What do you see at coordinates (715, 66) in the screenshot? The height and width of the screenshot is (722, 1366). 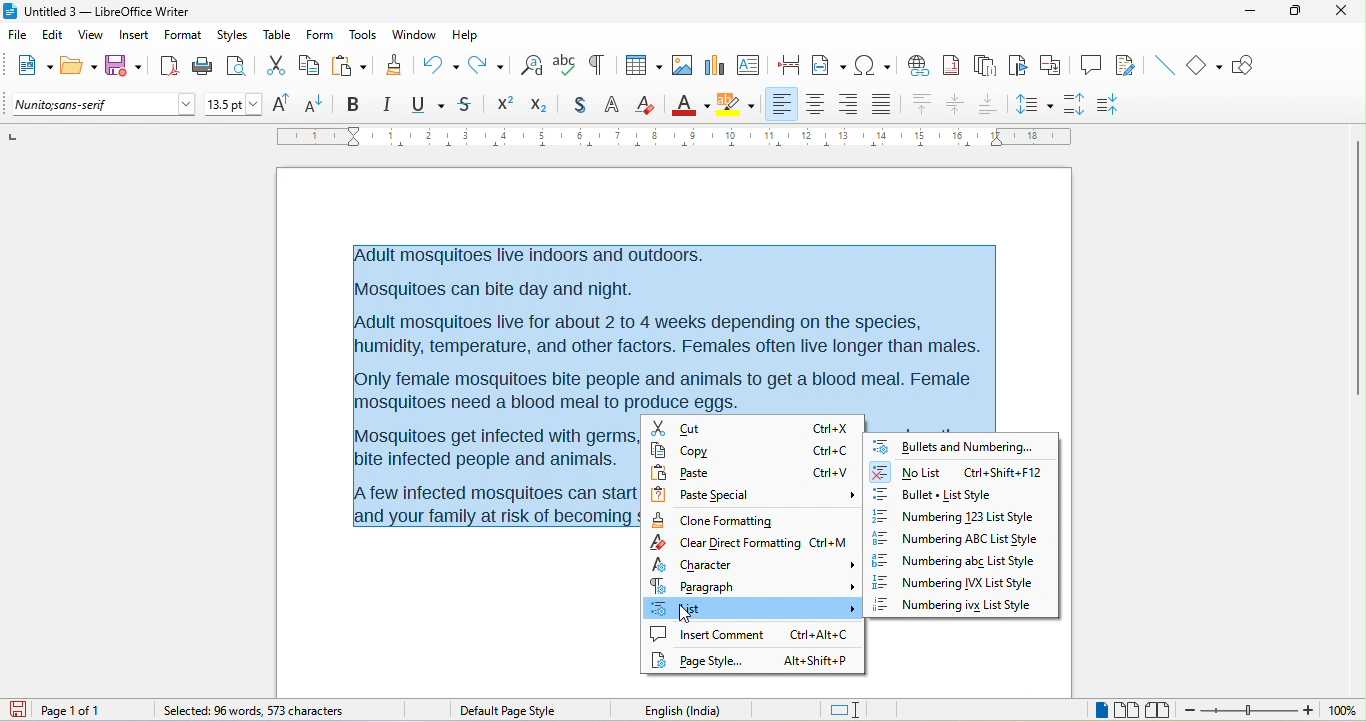 I see `chart` at bounding box center [715, 66].